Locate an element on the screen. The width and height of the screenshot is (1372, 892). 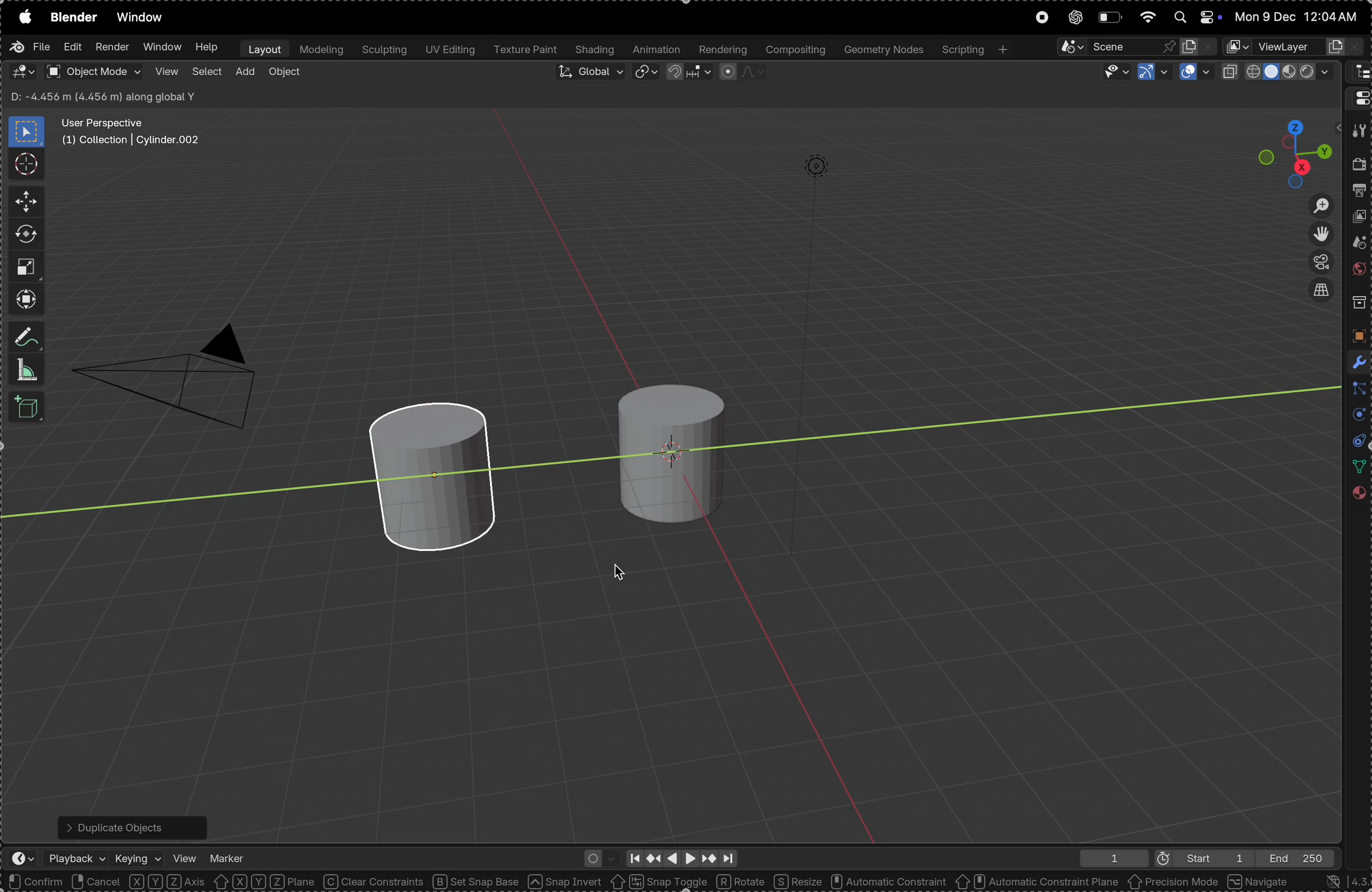
playback controls is located at coordinates (680, 856).